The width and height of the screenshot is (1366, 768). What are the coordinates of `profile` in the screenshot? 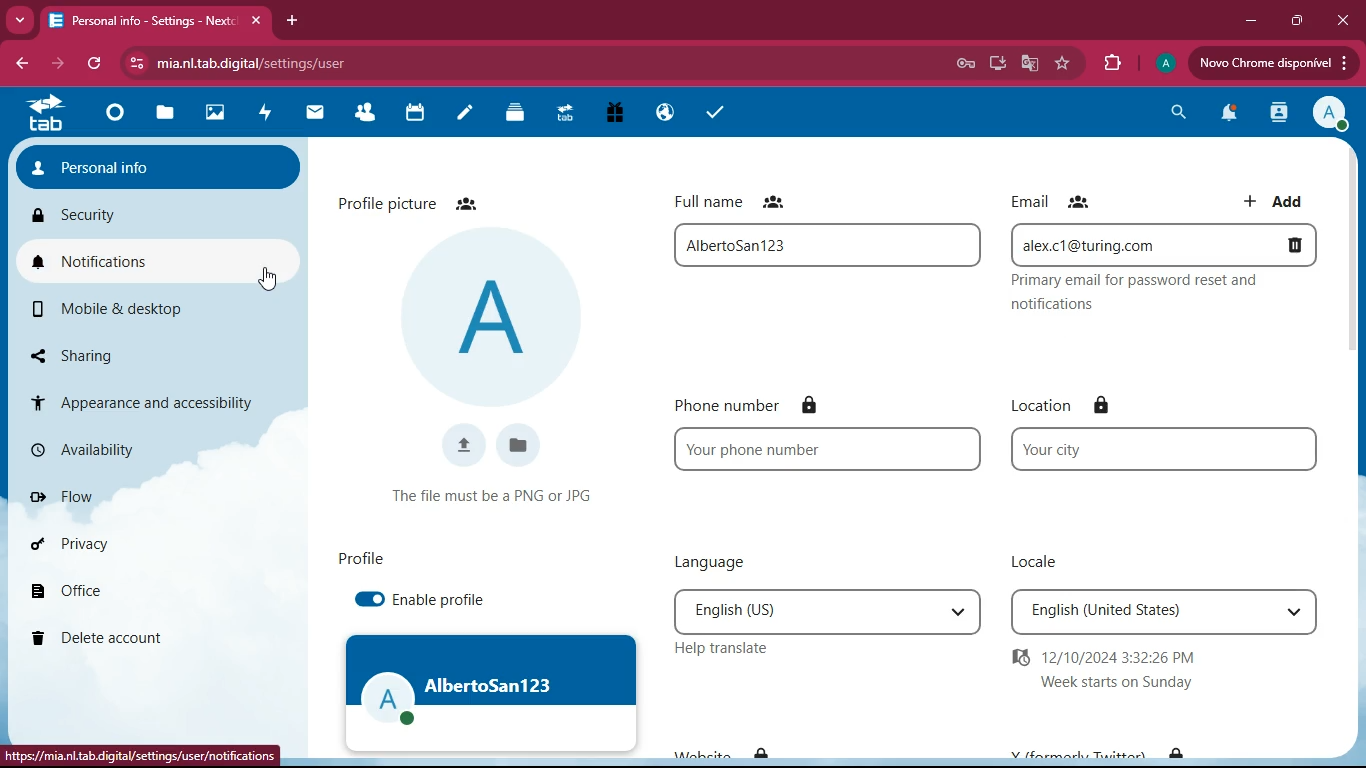 It's located at (1168, 62).